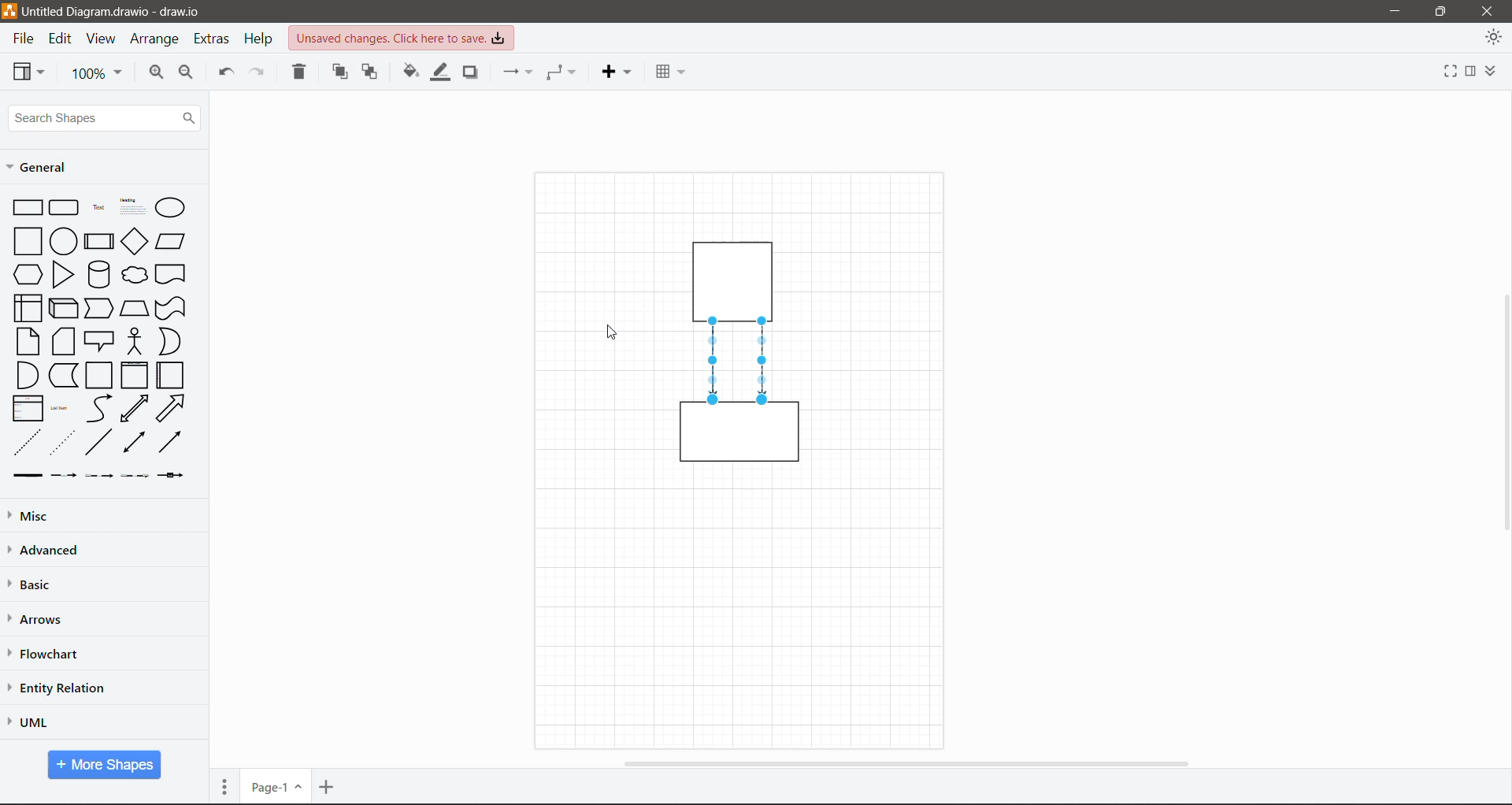 The width and height of the screenshot is (1512, 805). What do you see at coordinates (100, 376) in the screenshot?
I see `Container` at bounding box center [100, 376].